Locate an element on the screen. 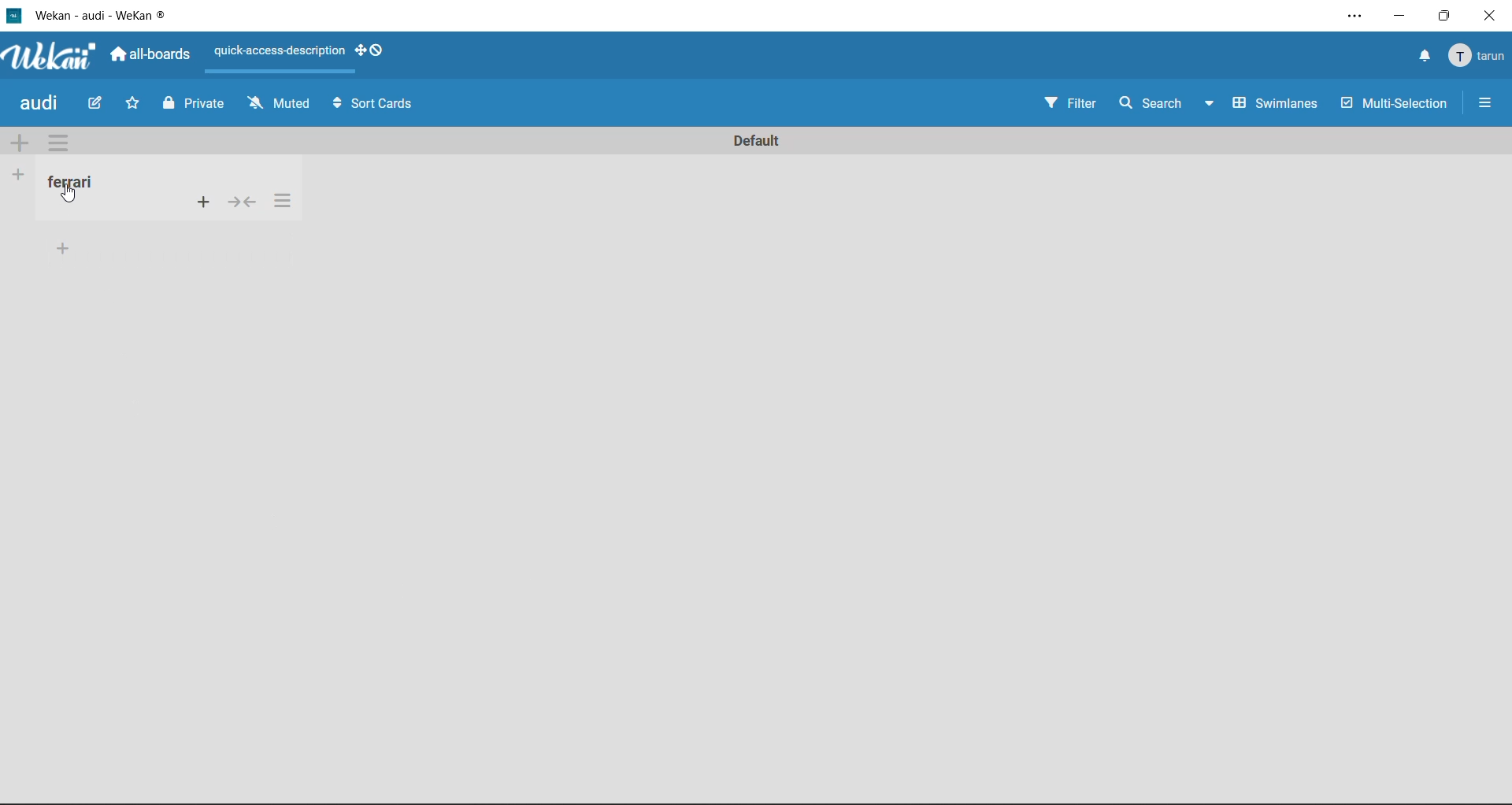 Image resolution: width=1512 pixels, height=805 pixels. audi is located at coordinates (42, 104).